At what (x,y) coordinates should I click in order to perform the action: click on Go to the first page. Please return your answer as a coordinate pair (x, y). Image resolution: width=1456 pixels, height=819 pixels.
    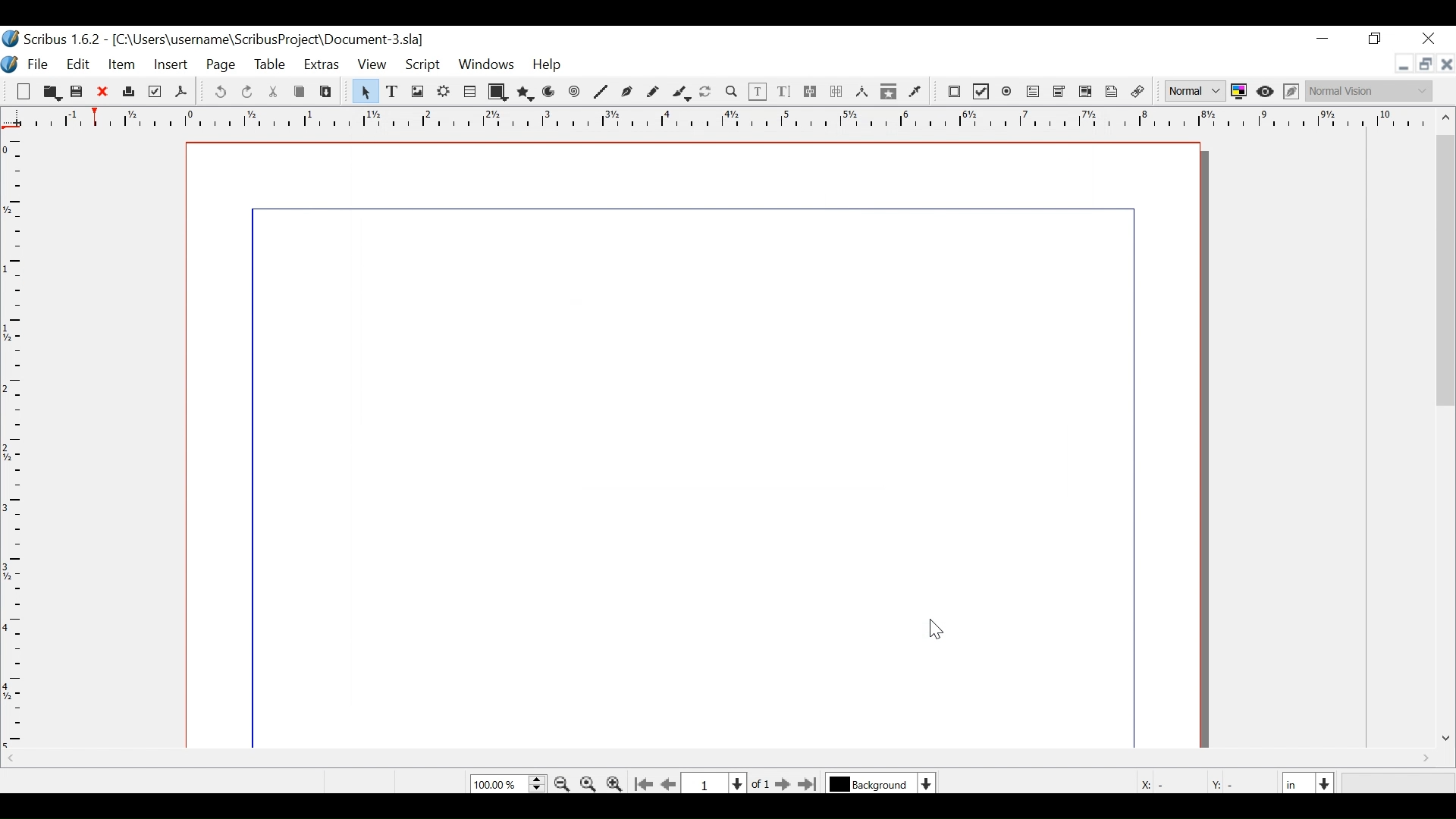
    Looking at the image, I should click on (645, 783).